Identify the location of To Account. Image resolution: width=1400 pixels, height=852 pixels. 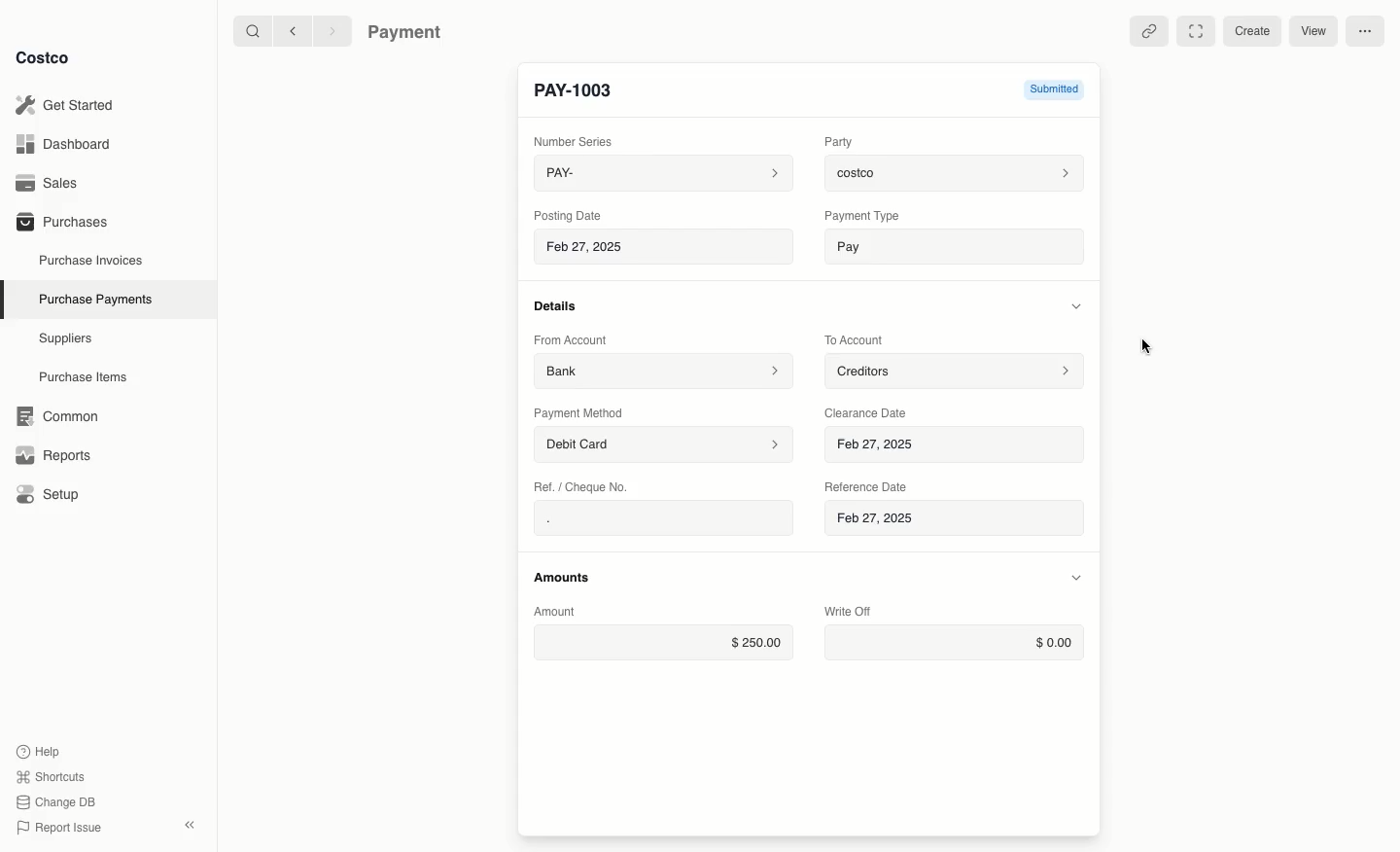
(852, 339).